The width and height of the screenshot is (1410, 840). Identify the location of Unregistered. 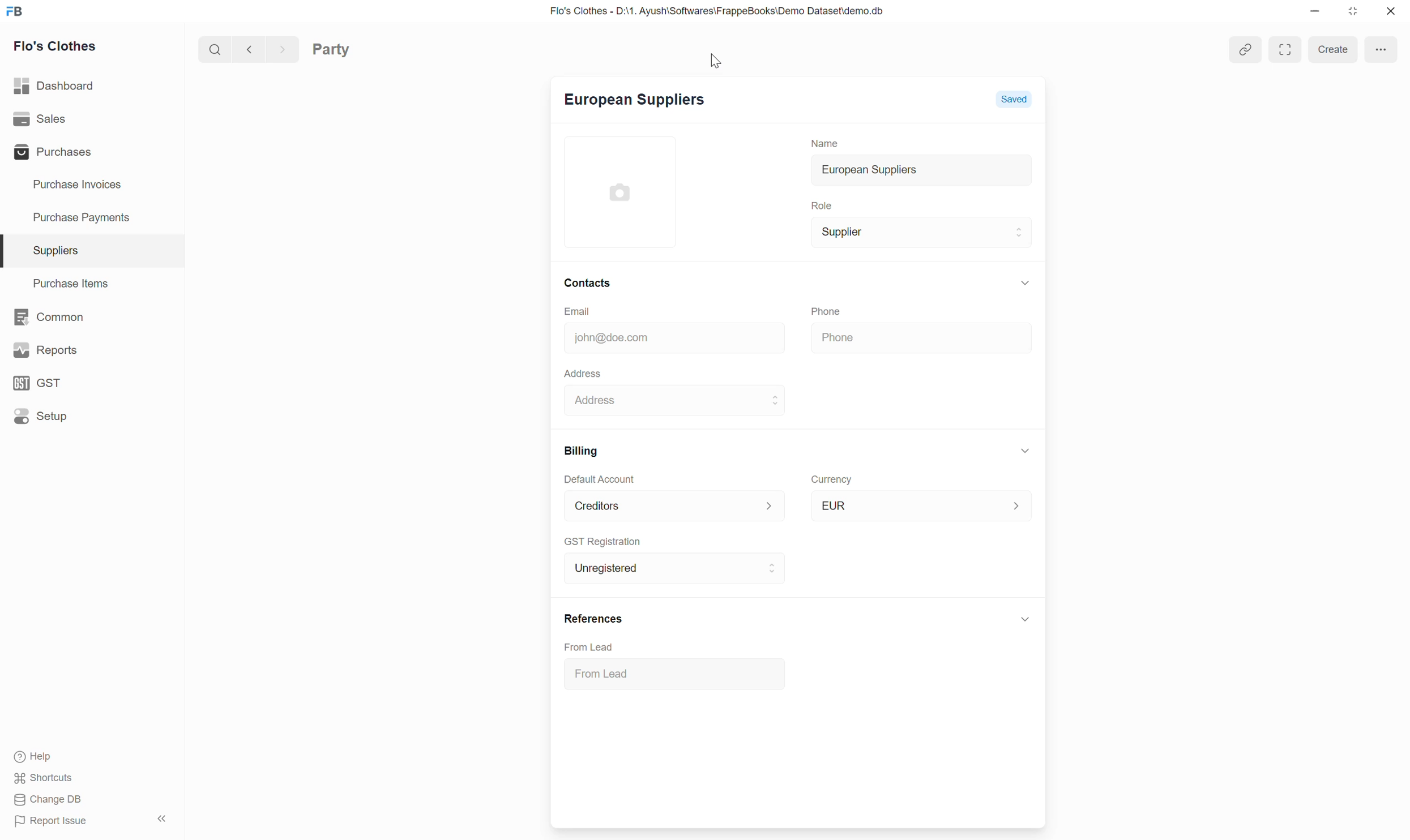
(604, 567).